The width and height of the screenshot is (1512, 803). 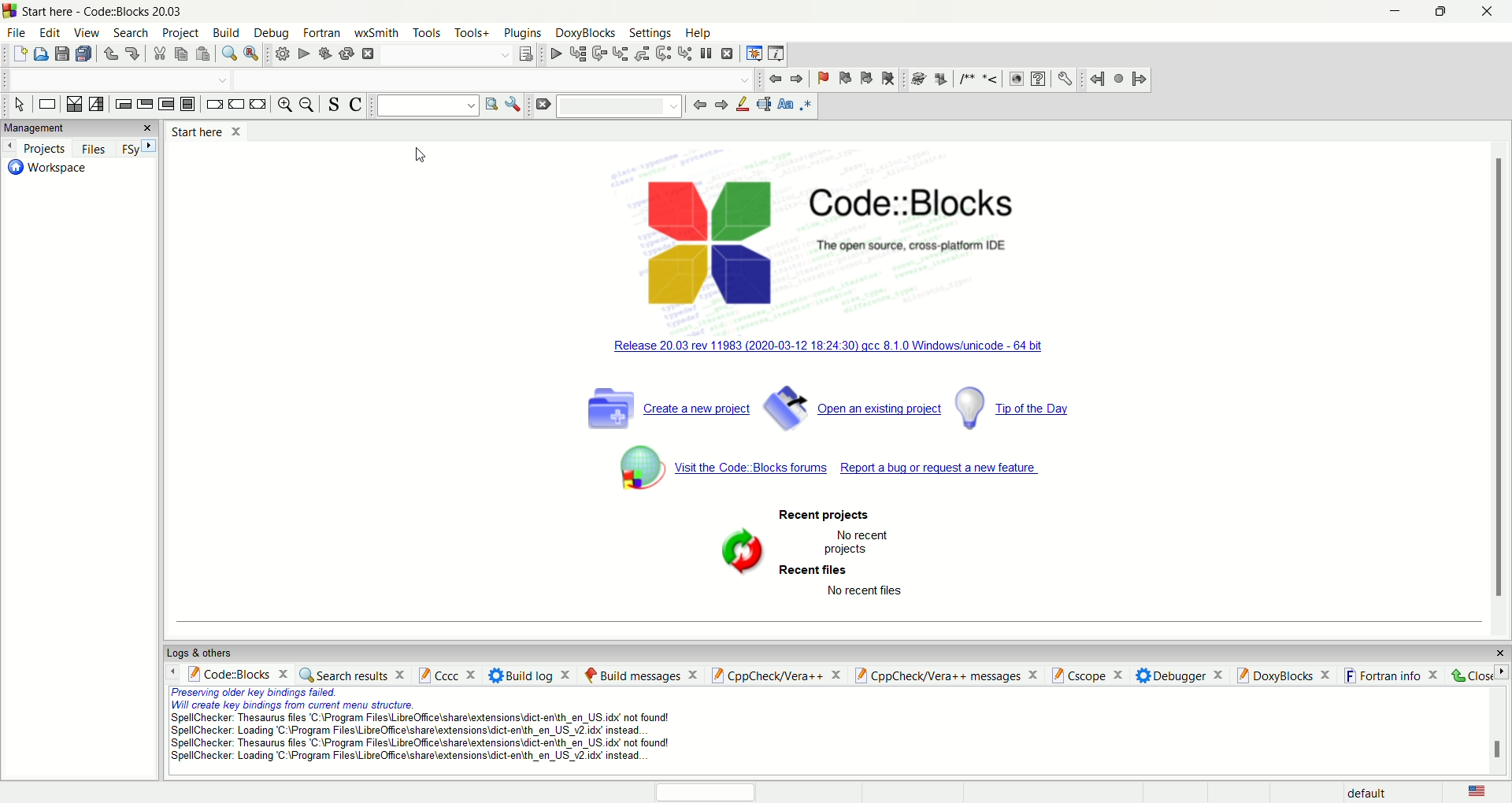 I want to click on undo, so click(x=110, y=54).